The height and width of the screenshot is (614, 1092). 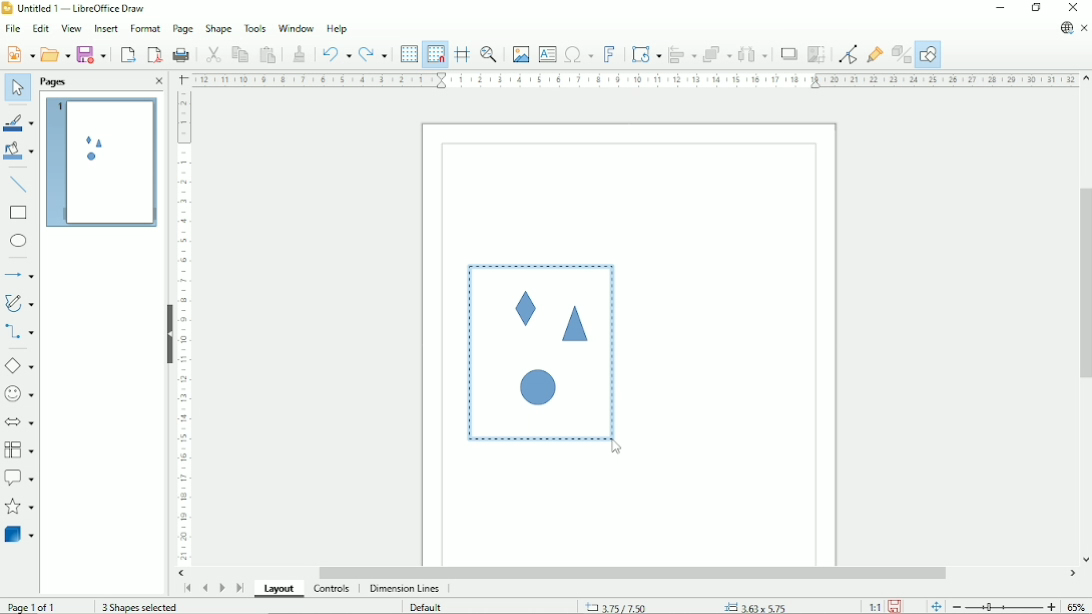 What do you see at coordinates (689, 606) in the screenshot?
I see `Cursor position` at bounding box center [689, 606].